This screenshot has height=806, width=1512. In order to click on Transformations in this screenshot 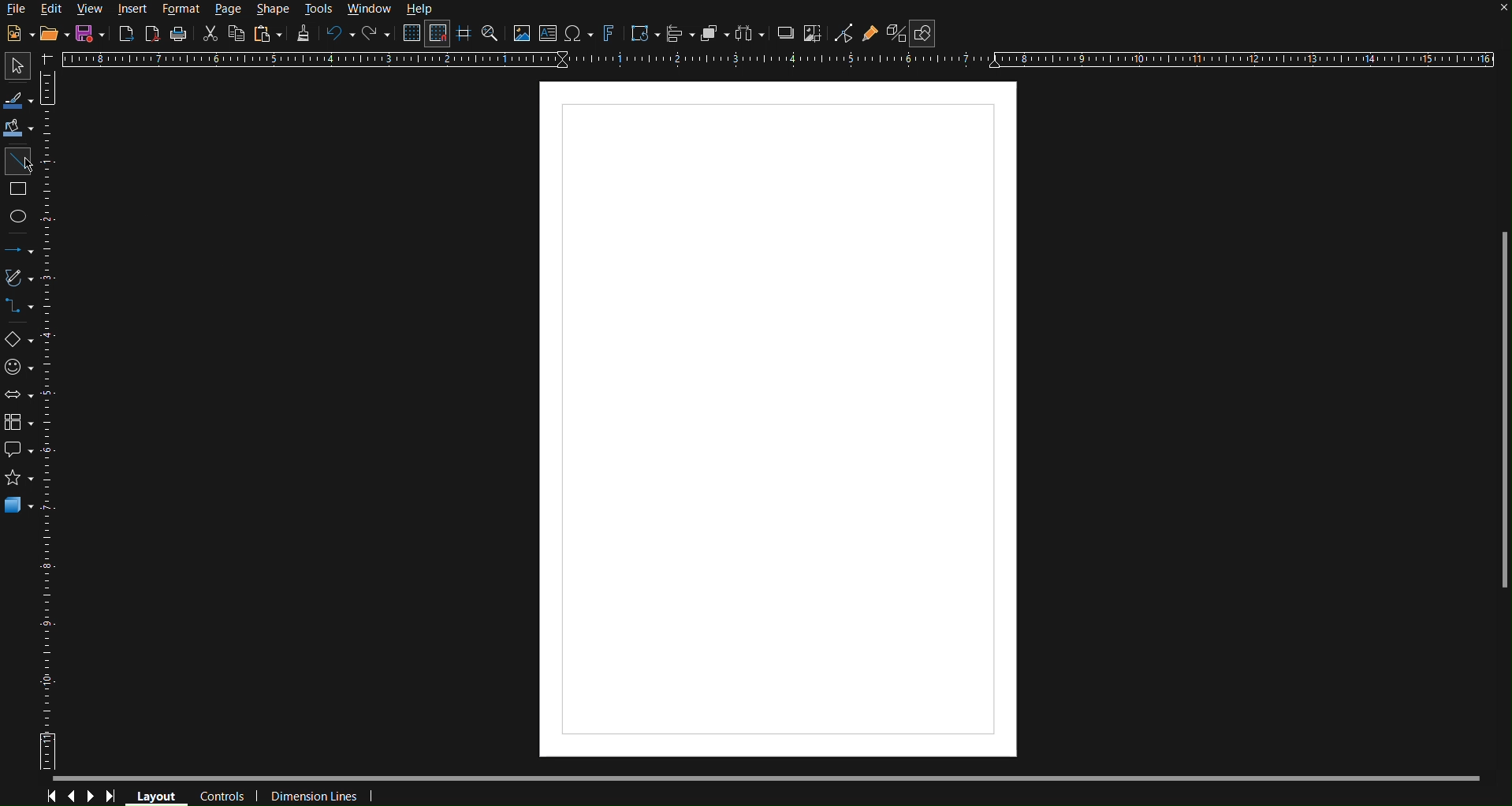, I will do `click(643, 34)`.